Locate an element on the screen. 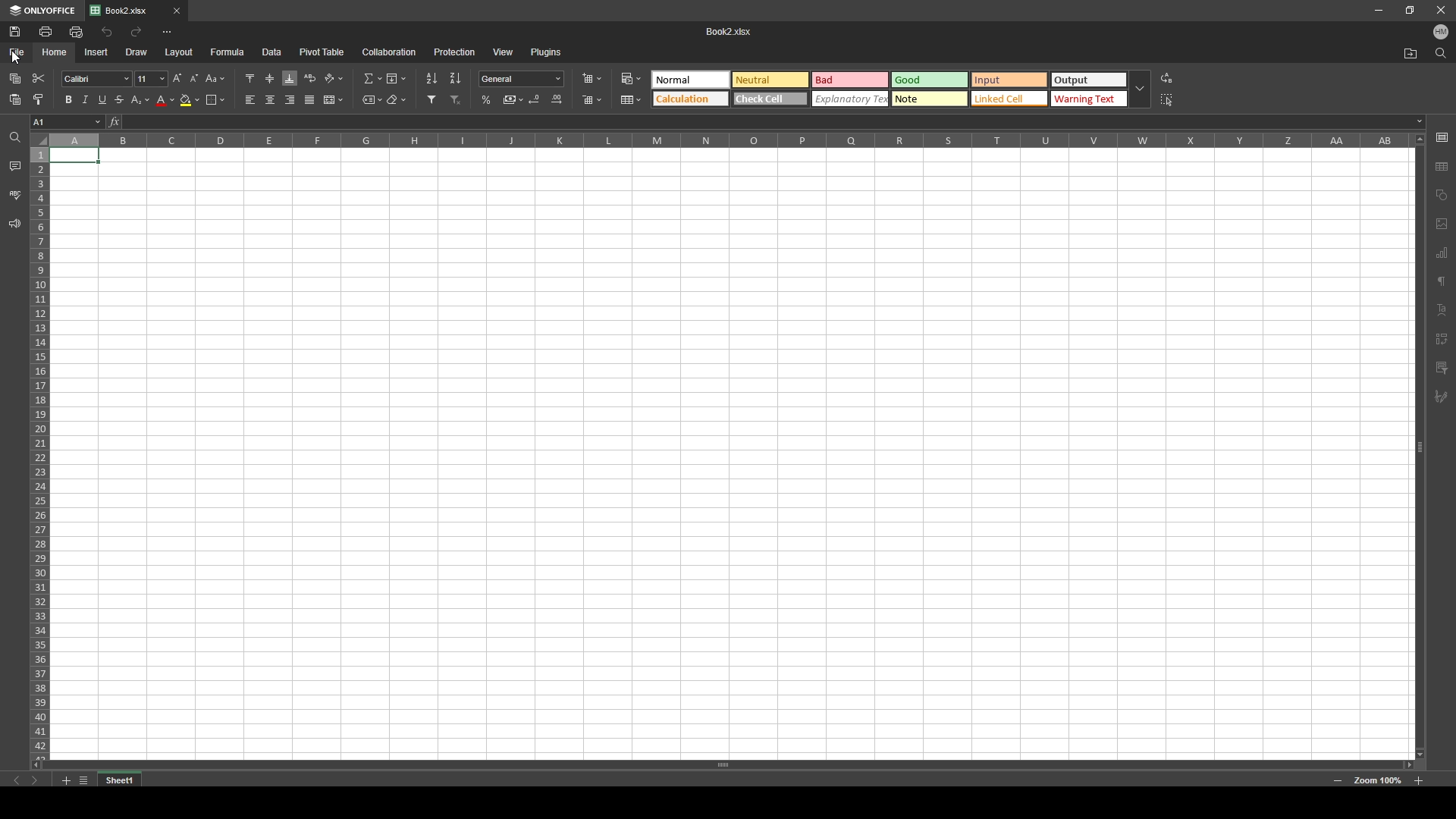 Image resolution: width=1456 pixels, height=819 pixels. formula is located at coordinates (229, 52).